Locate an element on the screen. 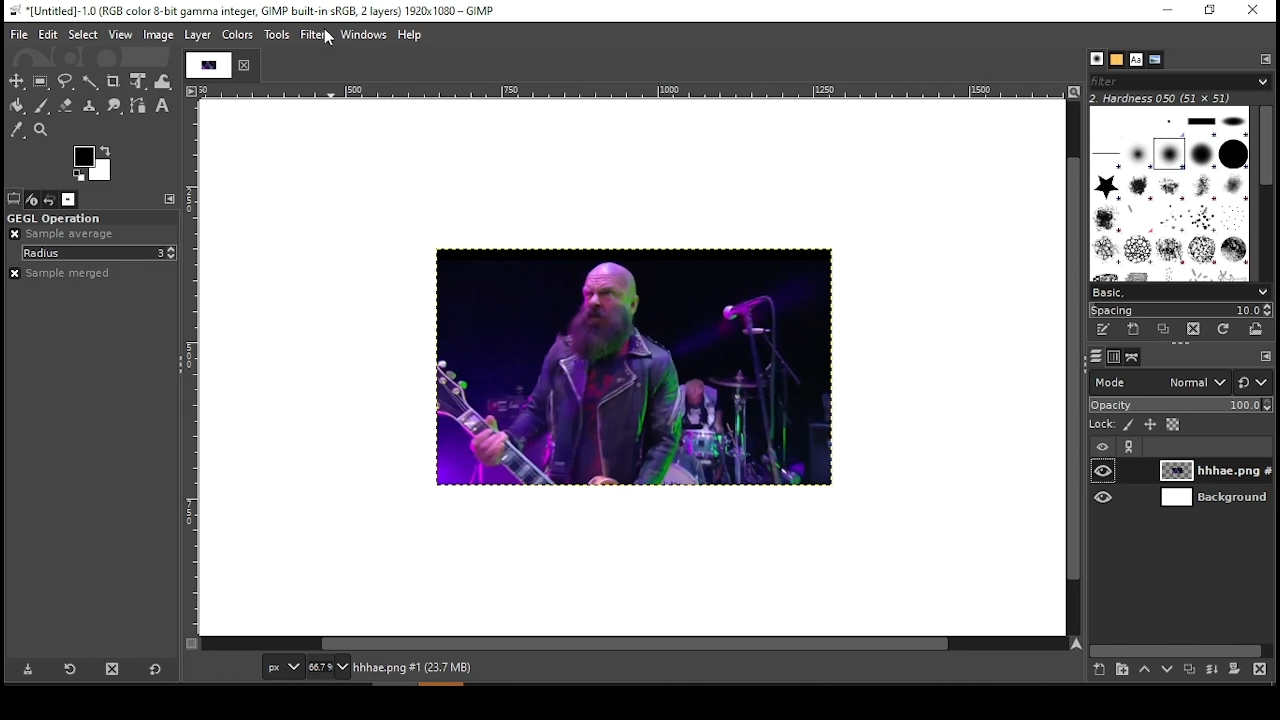 This screenshot has width=1280, height=720. edit is located at coordinates (49, 34).